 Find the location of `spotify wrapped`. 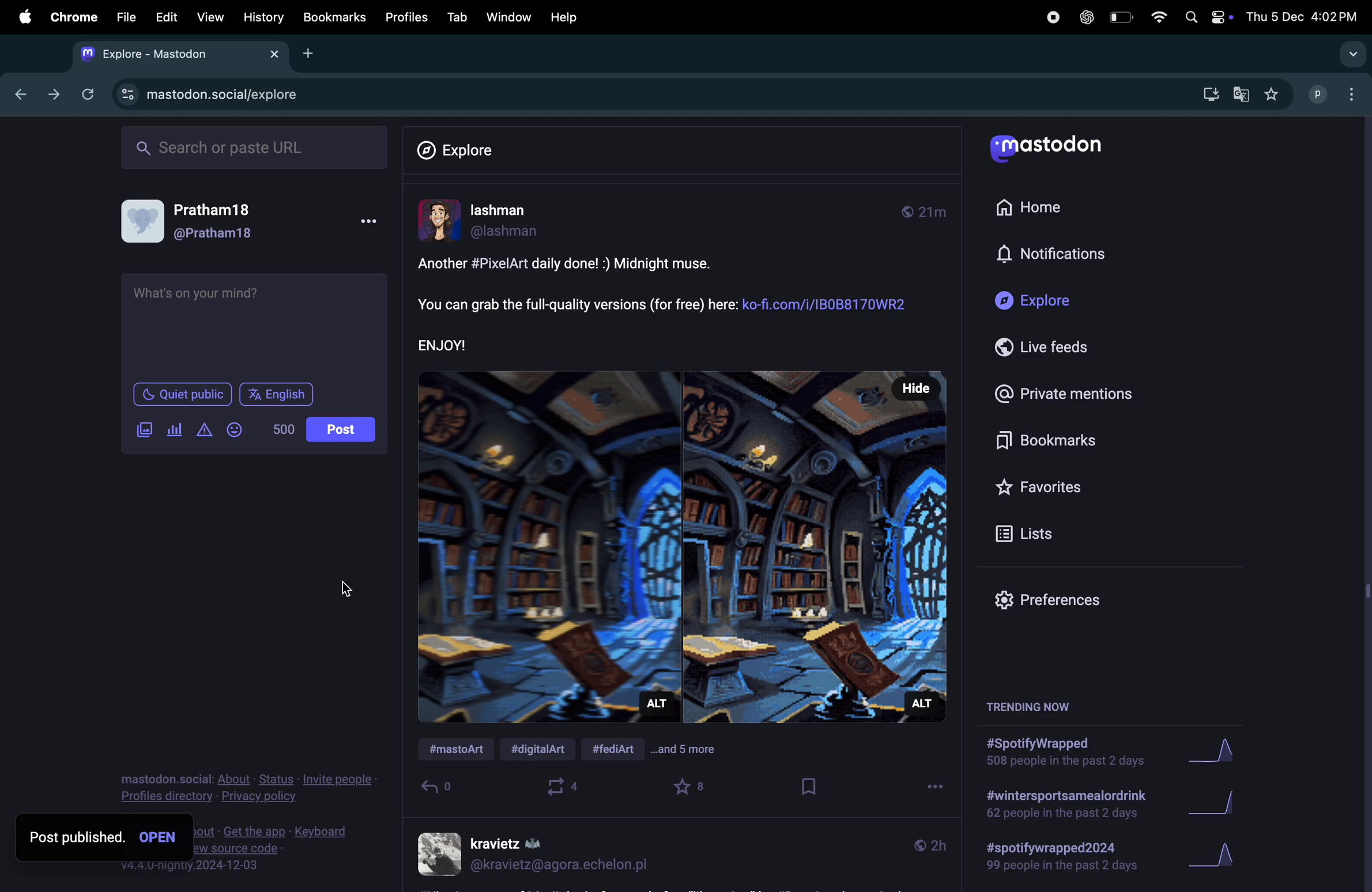

spotify wrapped is located at coordinates (1064, 755).